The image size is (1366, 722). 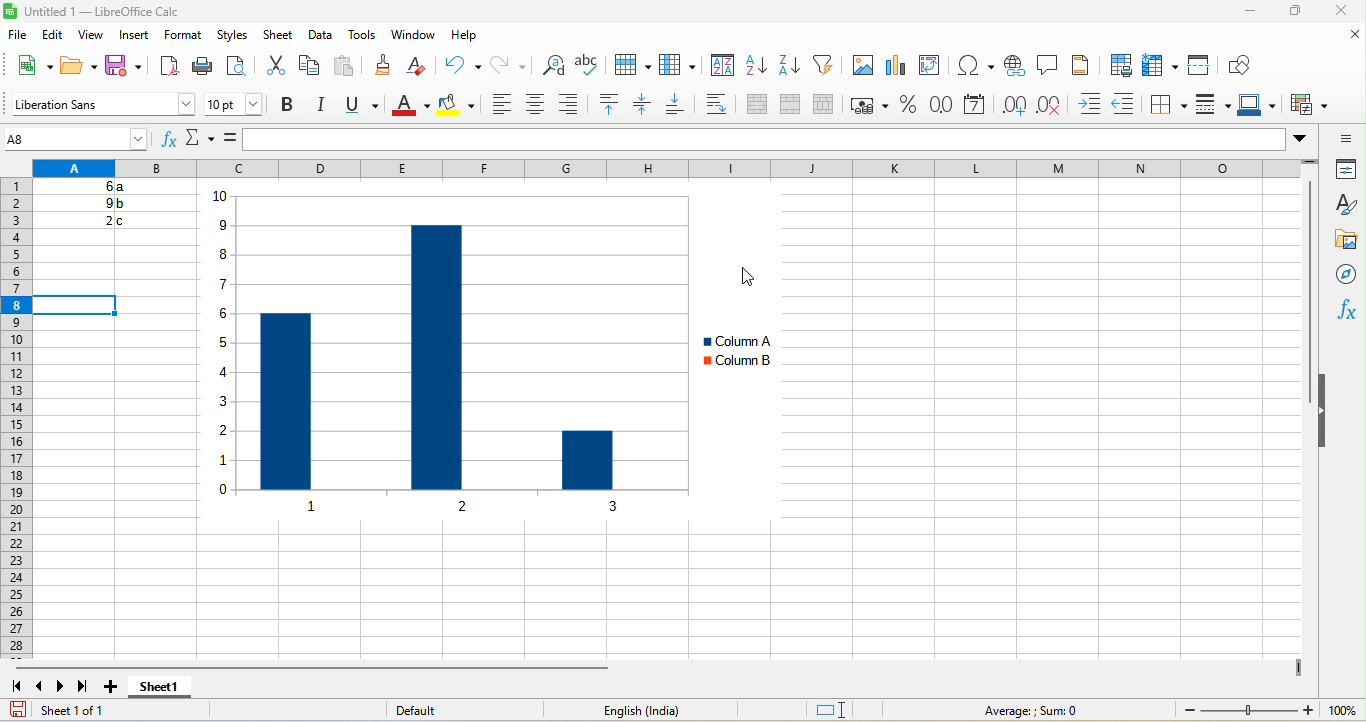 What do you see at coordinates (1127, 103) in the screenshot?
I see `decrease indent` at bounding box center [1127, 103].